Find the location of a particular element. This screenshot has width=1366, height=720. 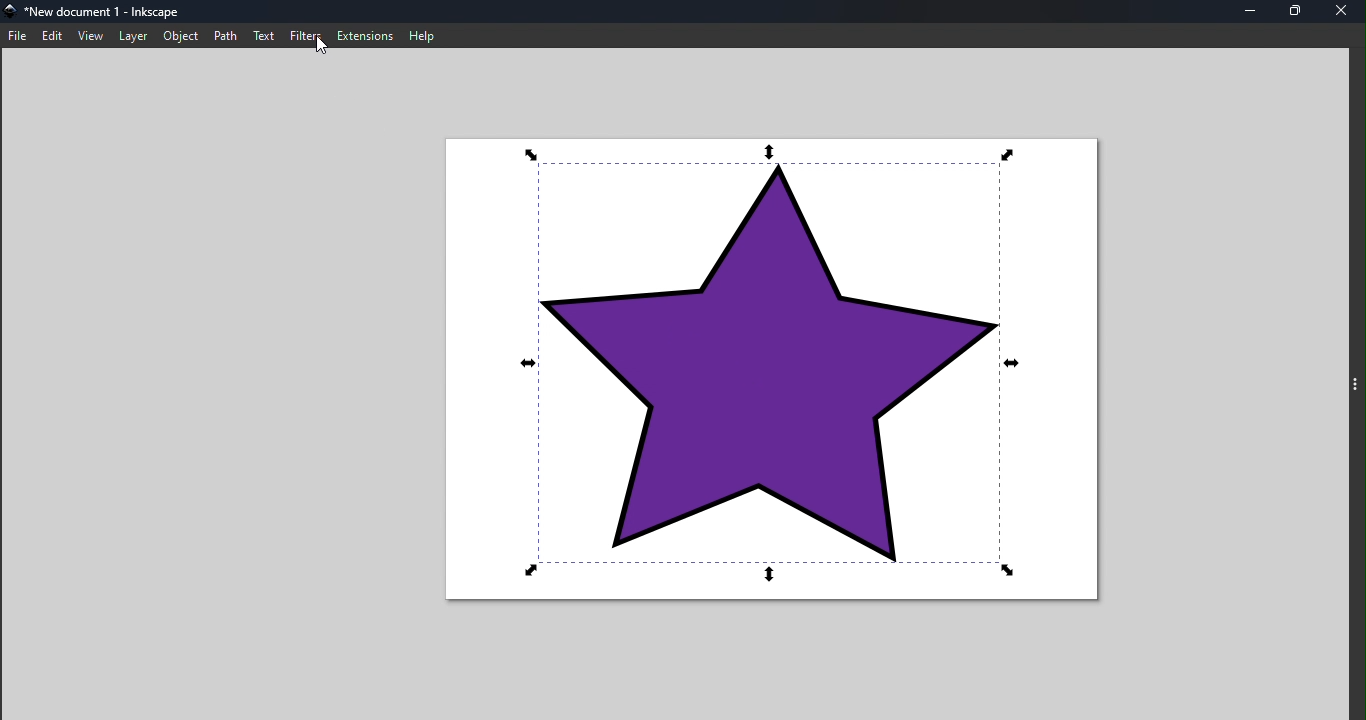

Maximize is located at coordinates (1299, 12).